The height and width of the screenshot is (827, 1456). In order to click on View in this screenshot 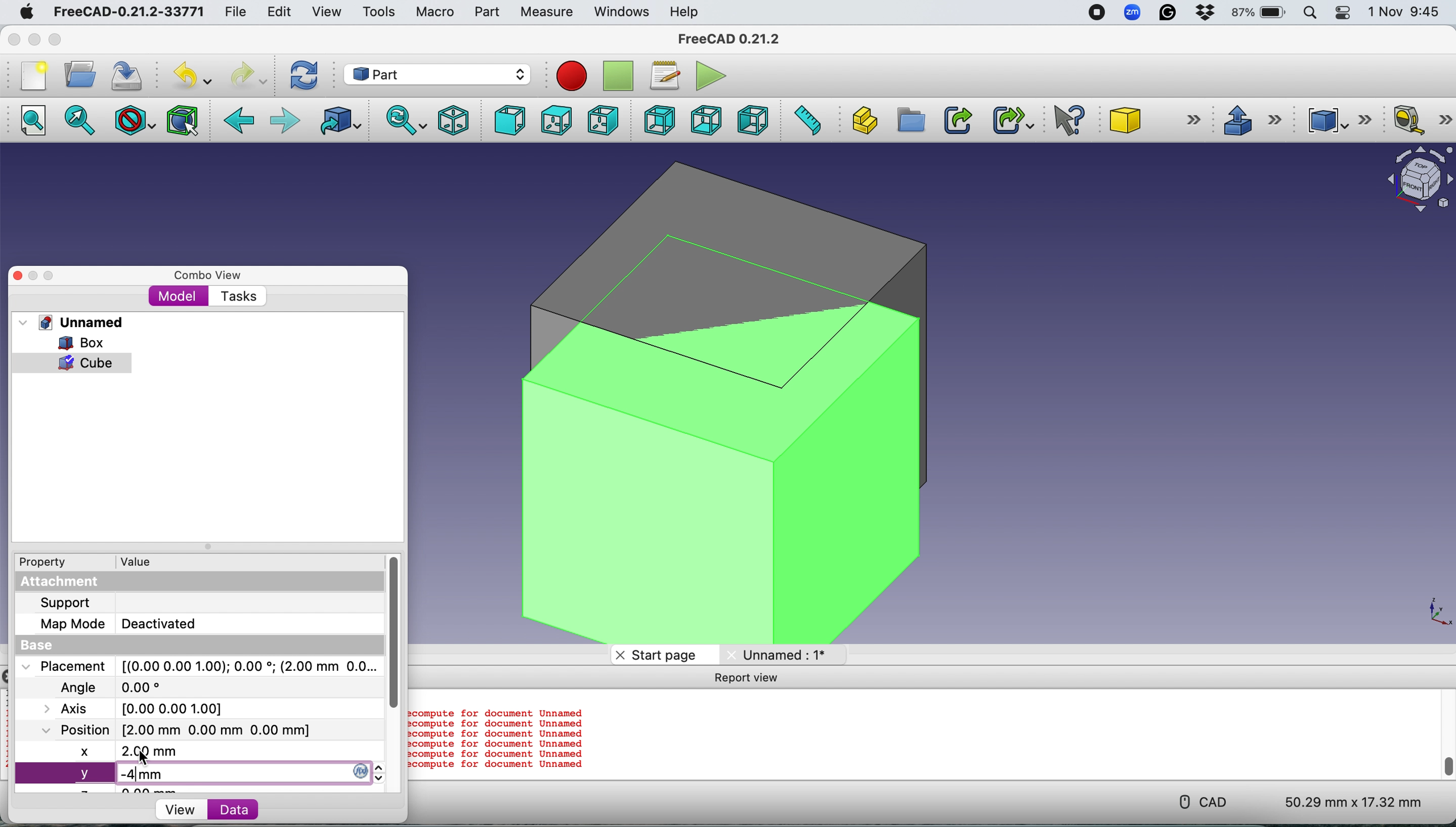, I will do `click(326, 12)`.